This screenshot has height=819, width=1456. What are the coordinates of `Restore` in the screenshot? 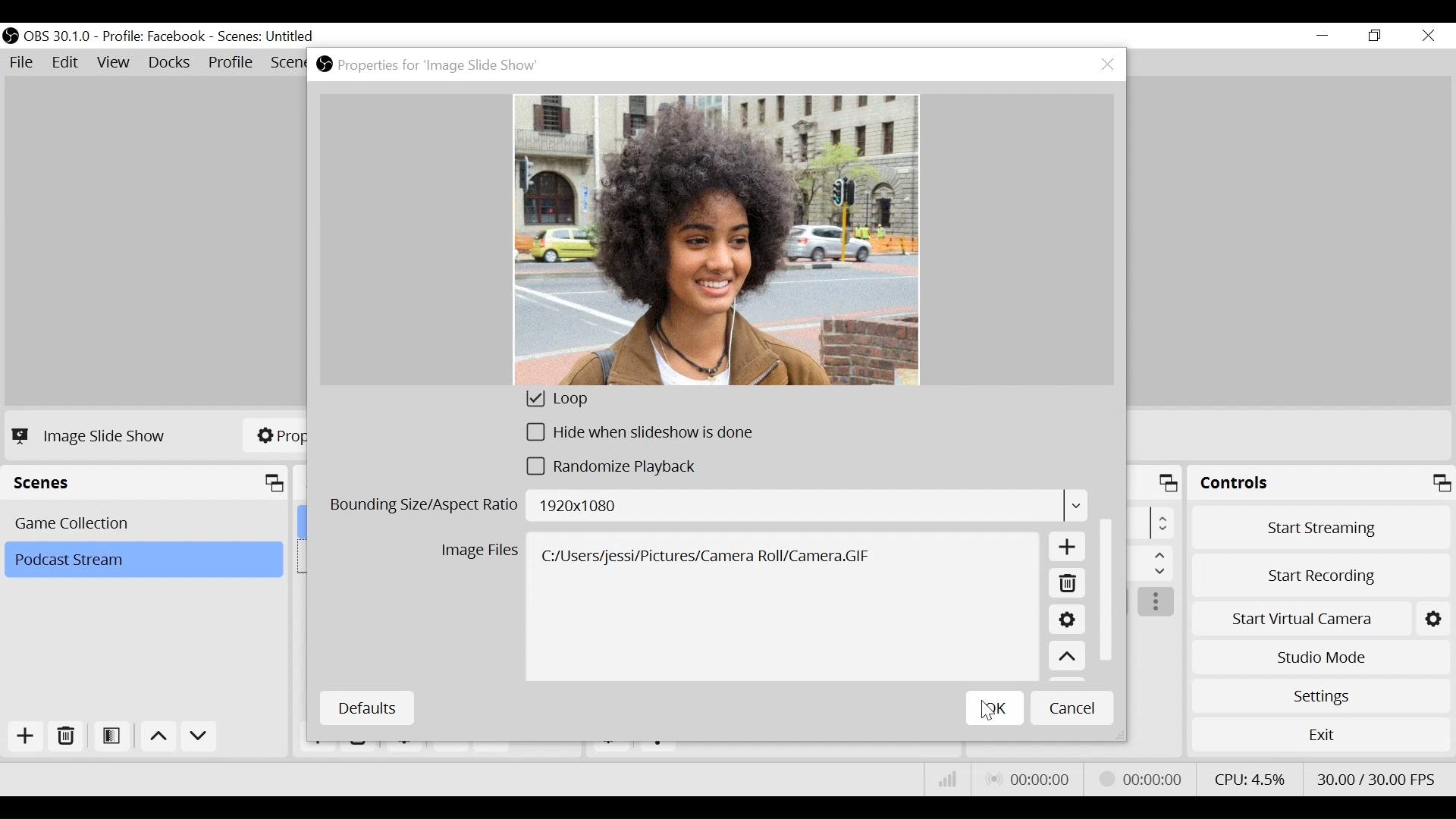 It's located at (1376, 36).